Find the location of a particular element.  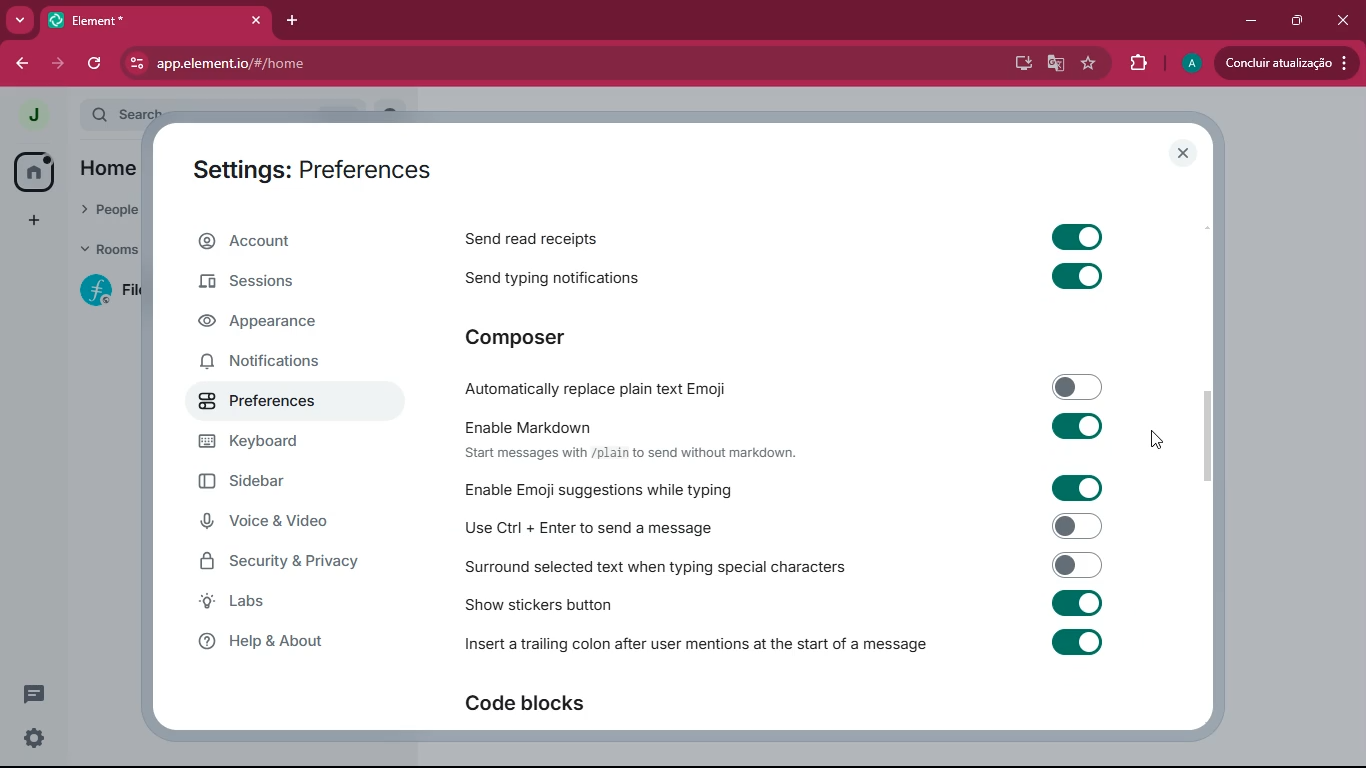

extensions is located at coordinates (1137, 63).